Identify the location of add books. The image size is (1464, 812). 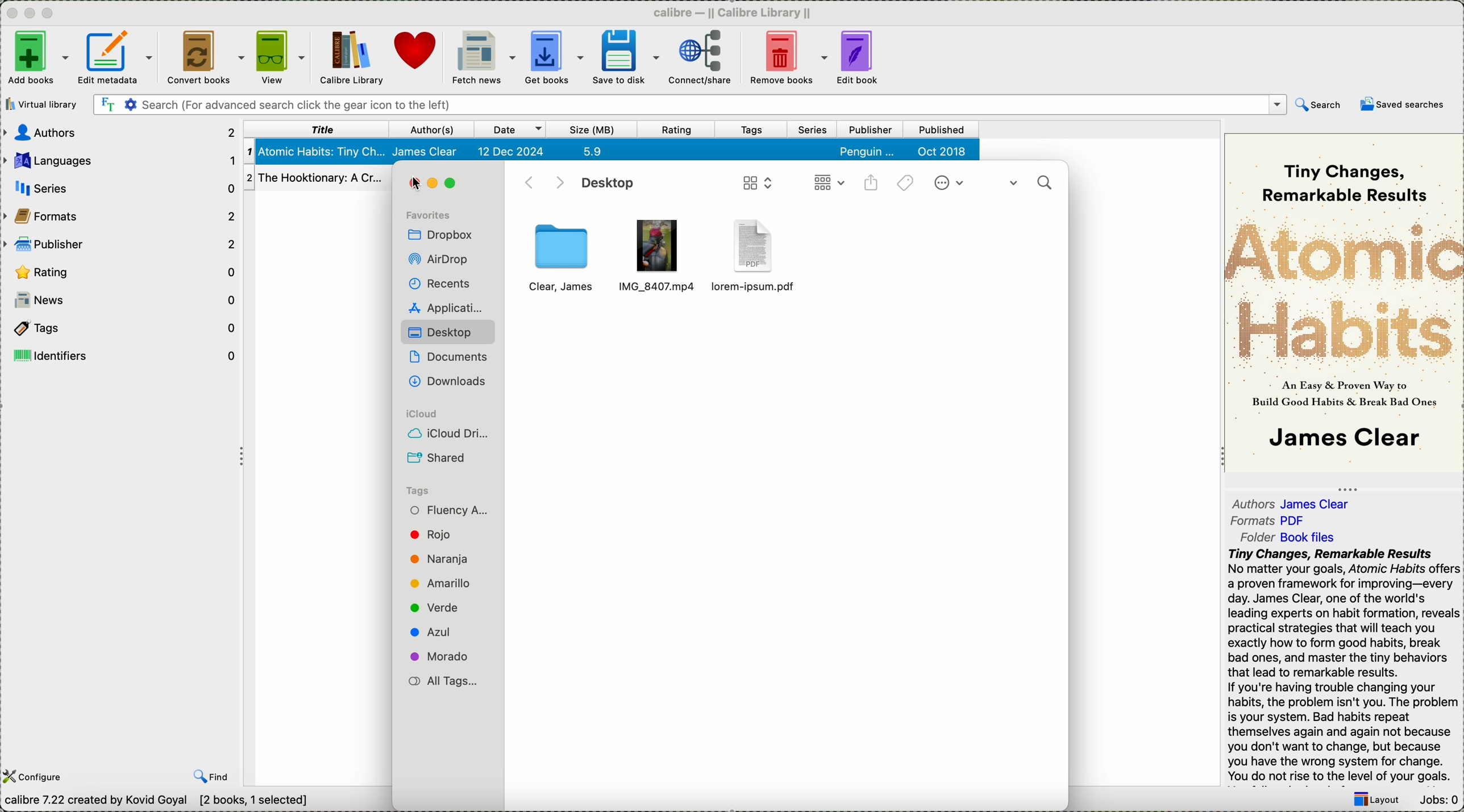
(38, 58).